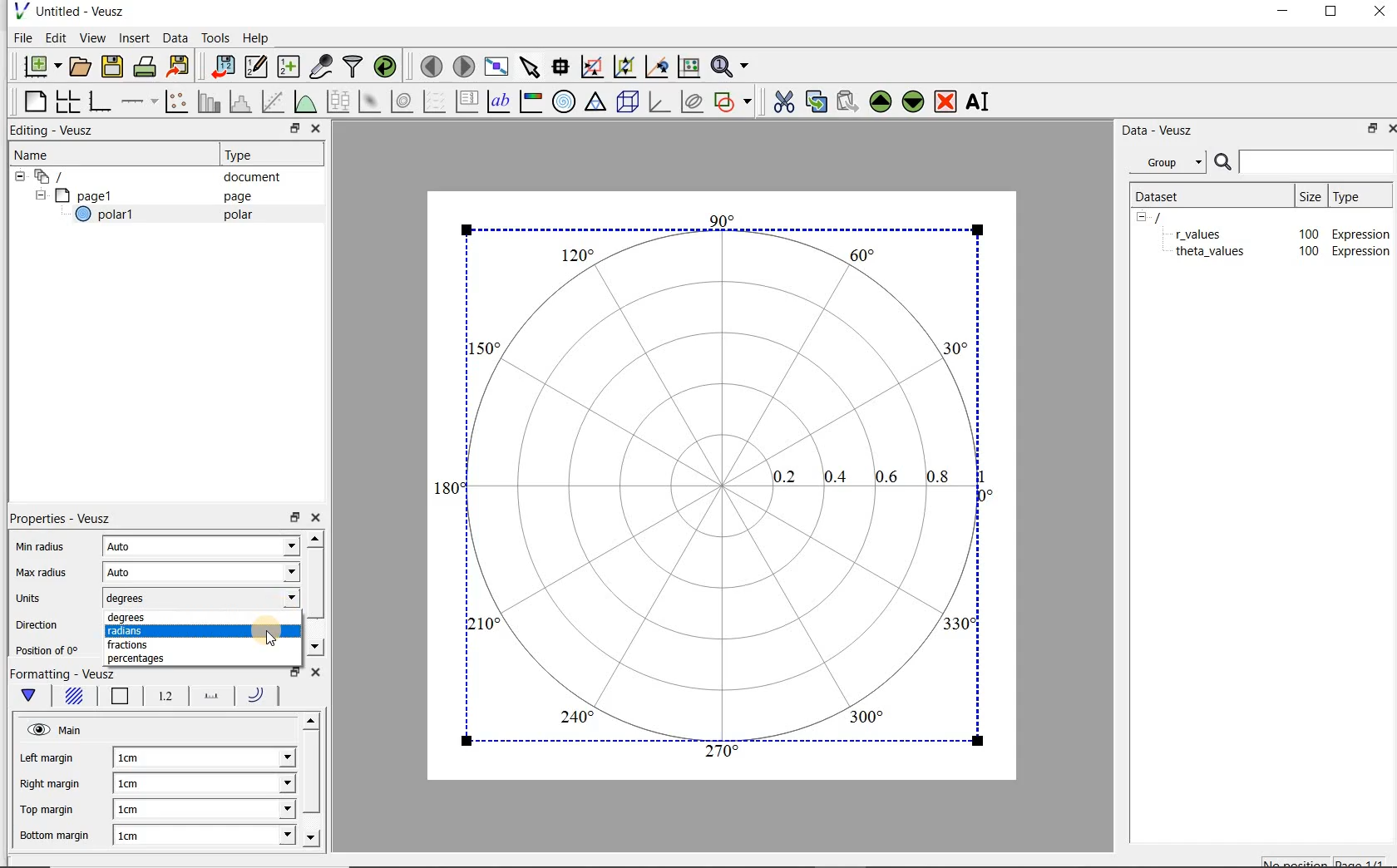  What do you see at coordinates (501, 101) in the screenshot?
I see `text label` at bounding box center [501, 101].